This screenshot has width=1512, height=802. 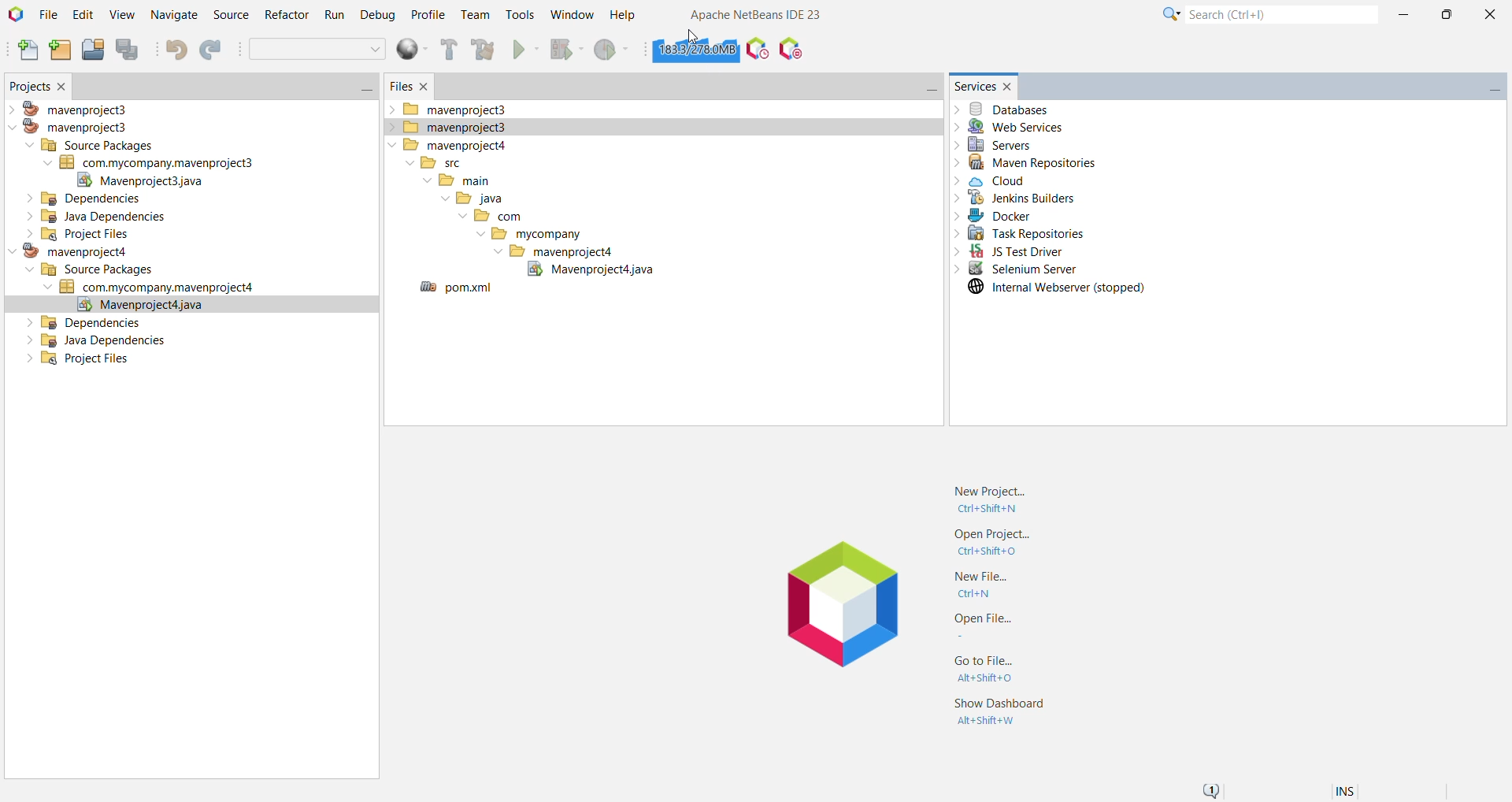 I want to click on Refactor, so click(x=284, y=16).